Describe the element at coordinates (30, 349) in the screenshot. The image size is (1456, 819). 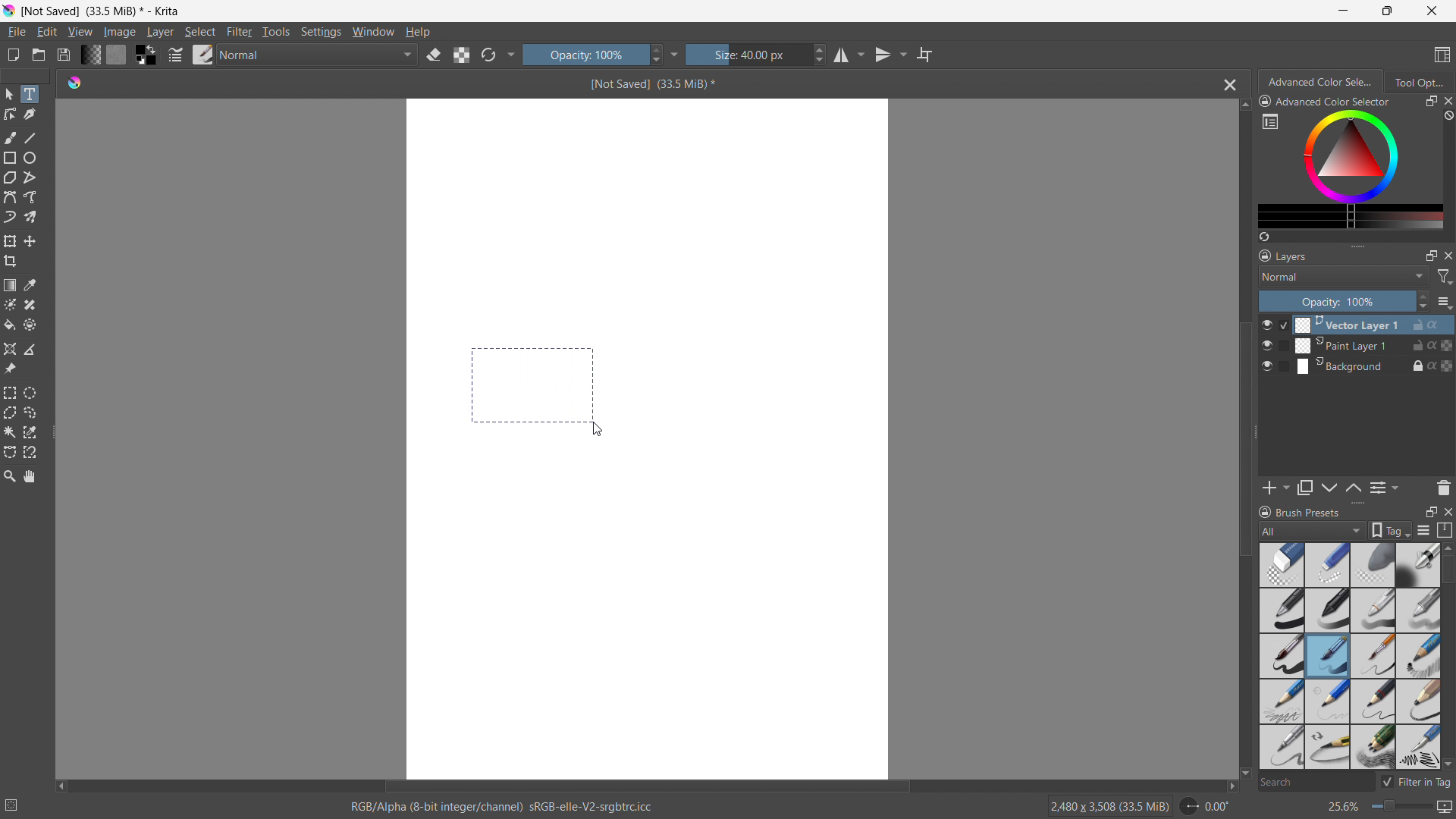
I see `measure the distance between two points` at that location.